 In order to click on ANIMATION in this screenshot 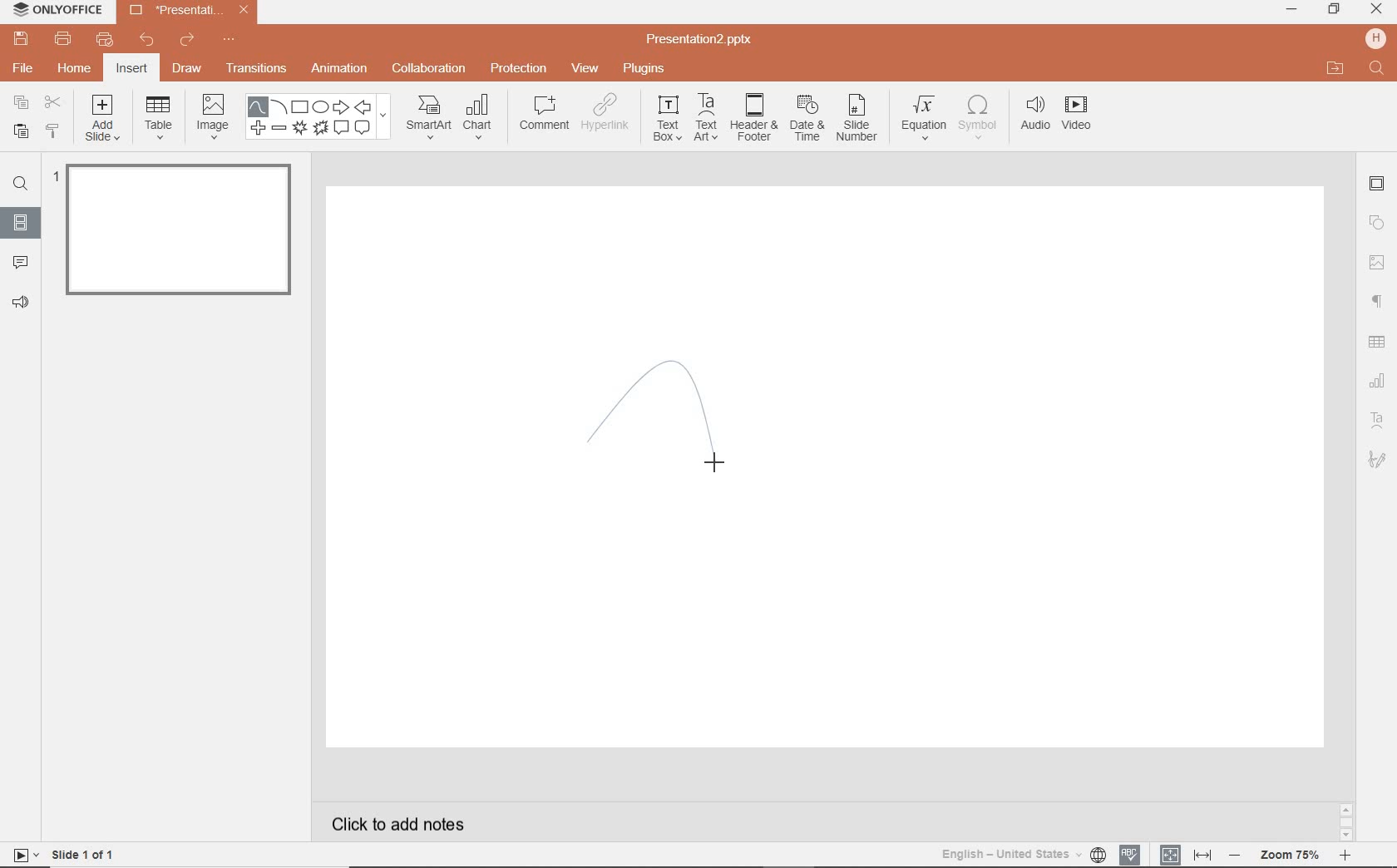, I will do `click(343, 69)`.